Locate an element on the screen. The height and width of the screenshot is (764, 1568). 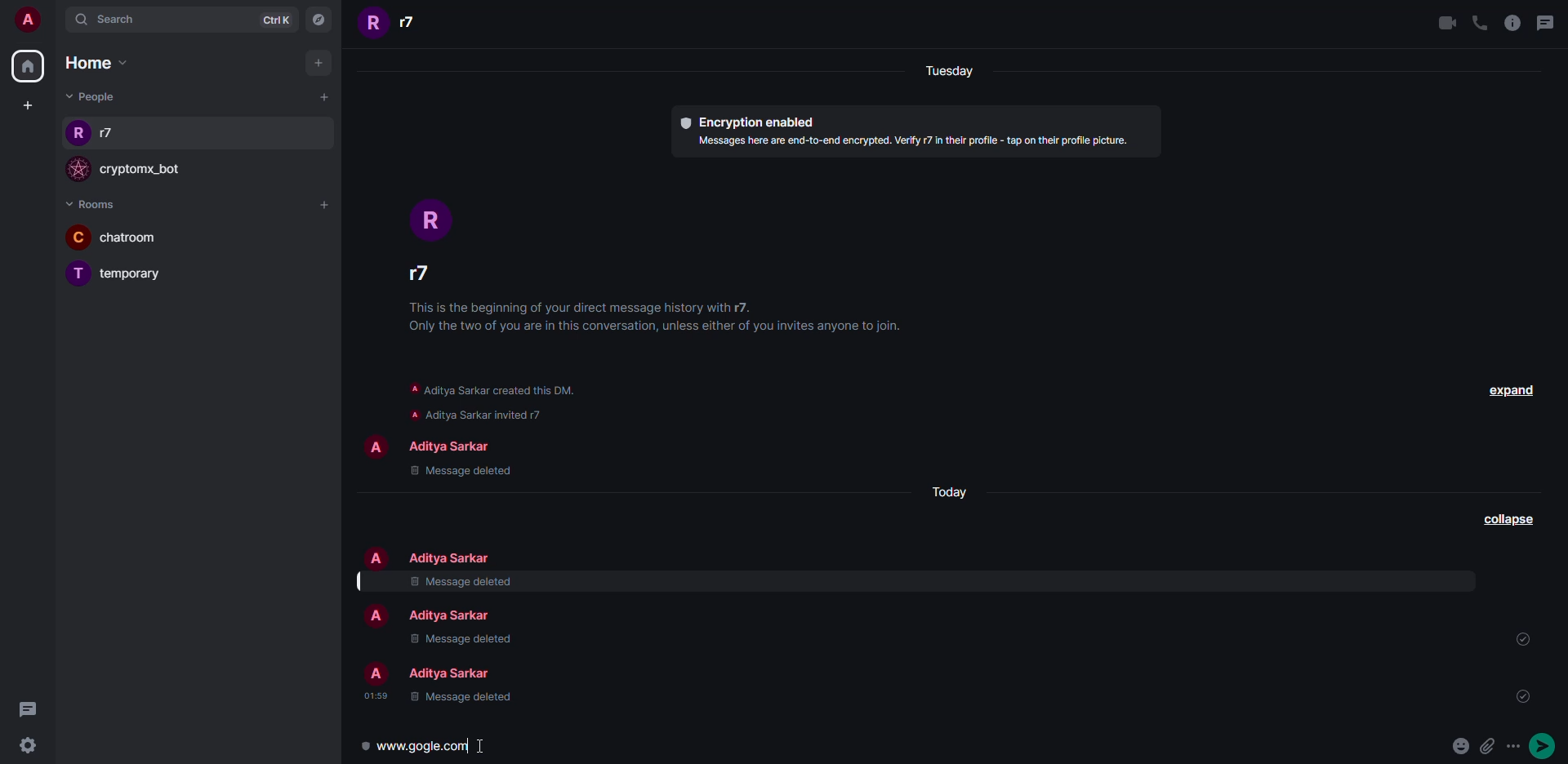
profile is located at coordinates (79, 274).